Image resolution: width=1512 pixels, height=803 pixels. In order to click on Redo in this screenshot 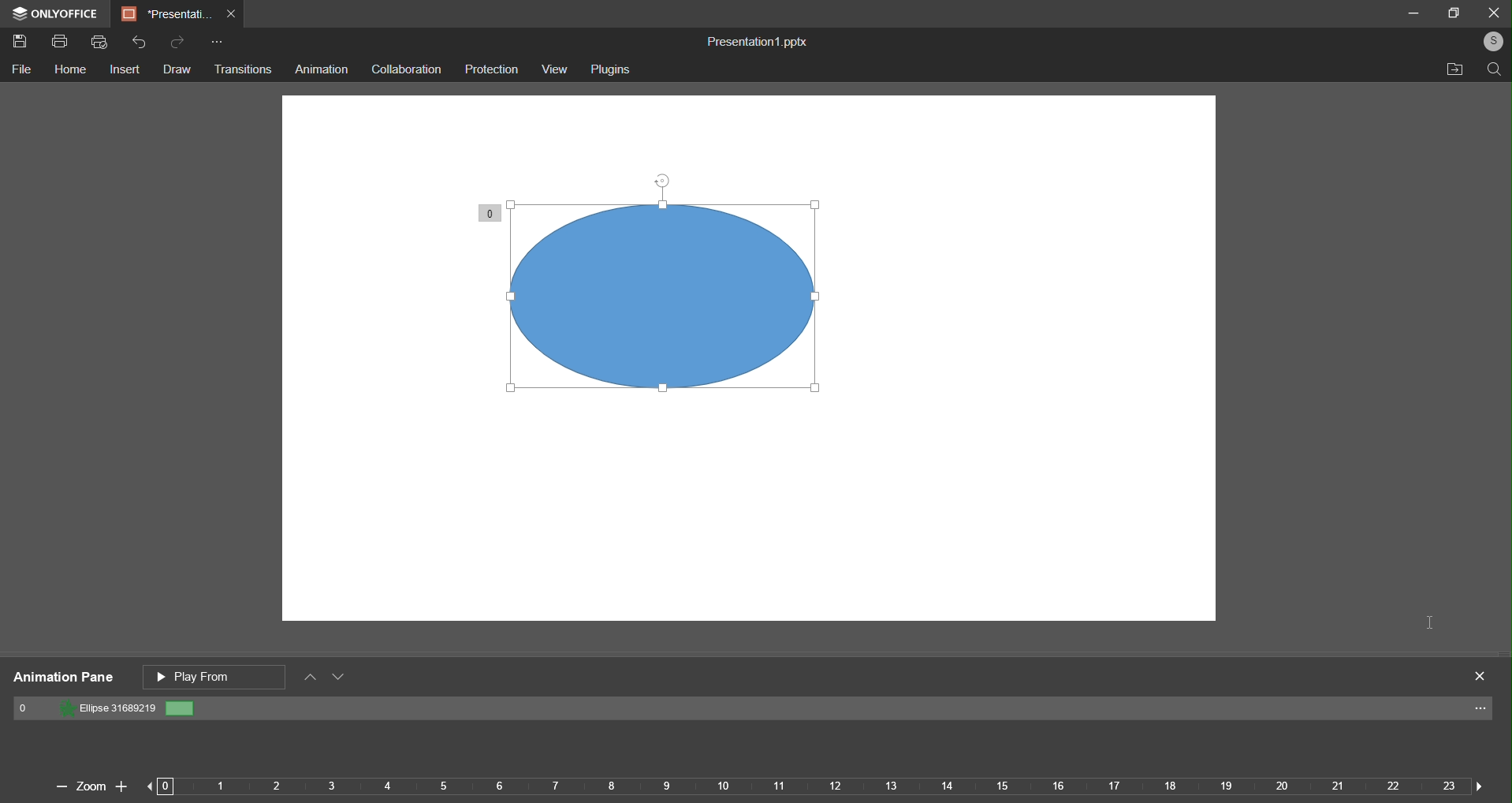, I will do `click(178, 42)`.